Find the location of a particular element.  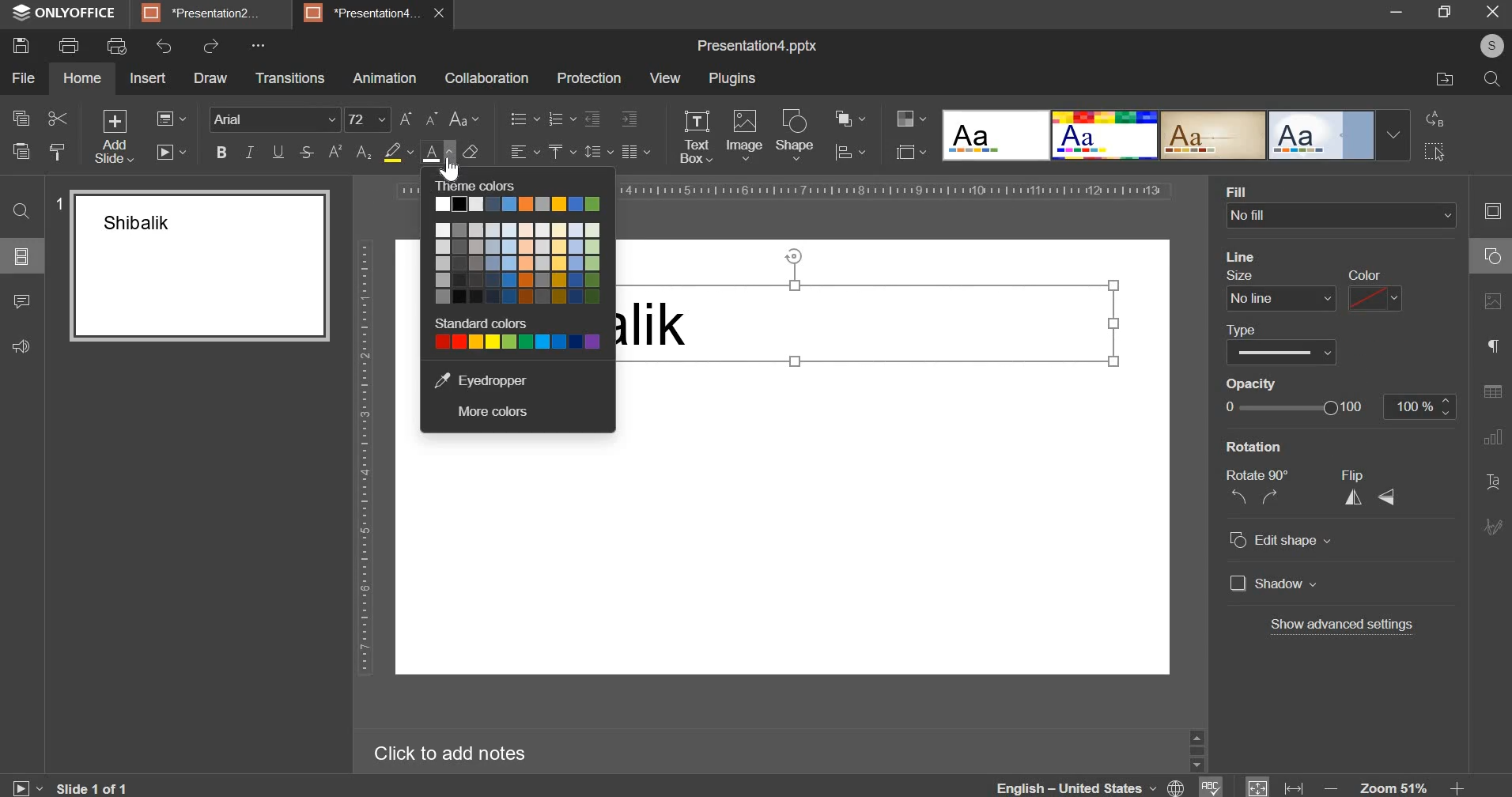

fill color is located at coordinates (398, 152).